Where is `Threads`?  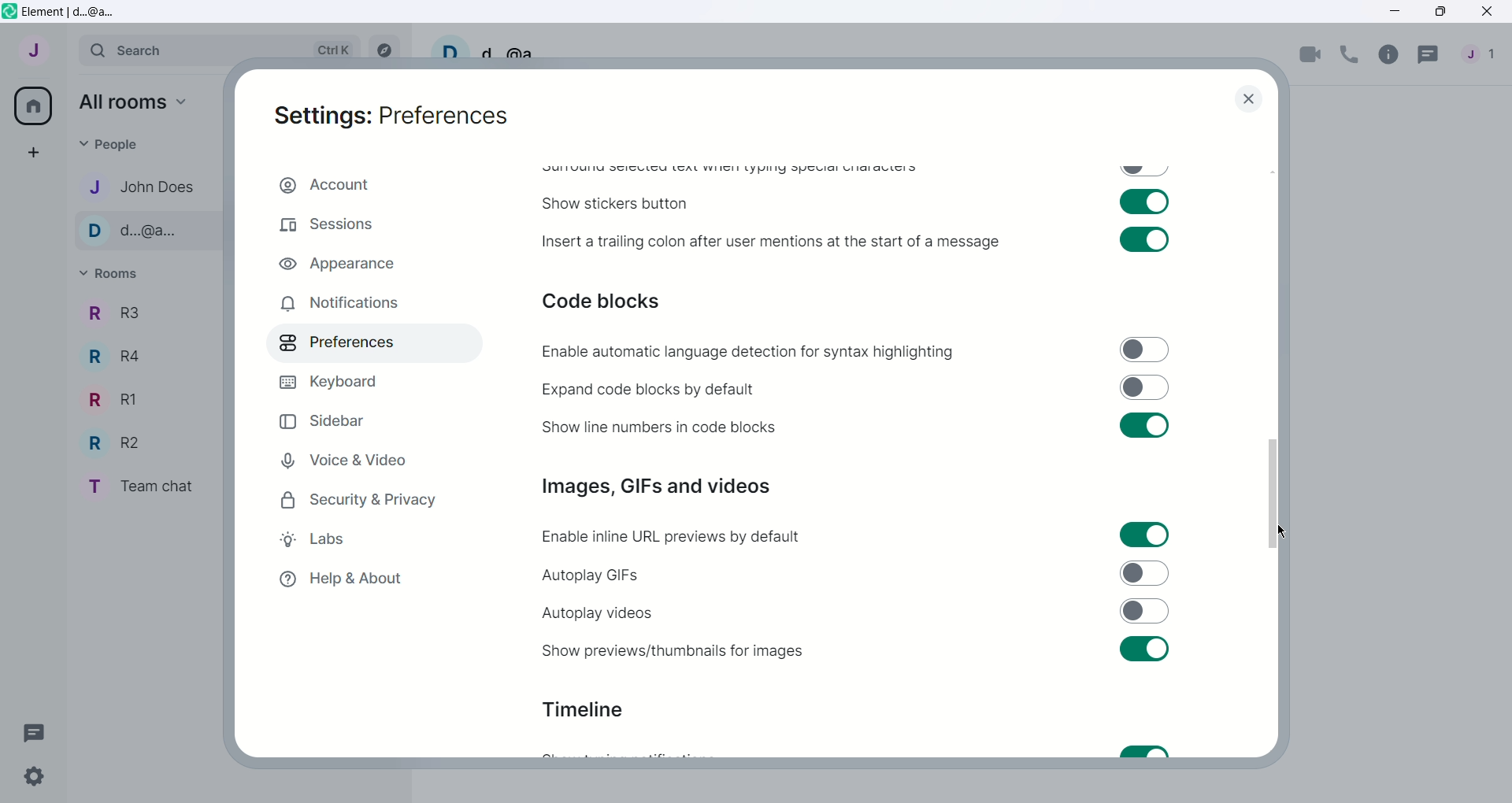
Threads is located at coordinates (1429, 57).